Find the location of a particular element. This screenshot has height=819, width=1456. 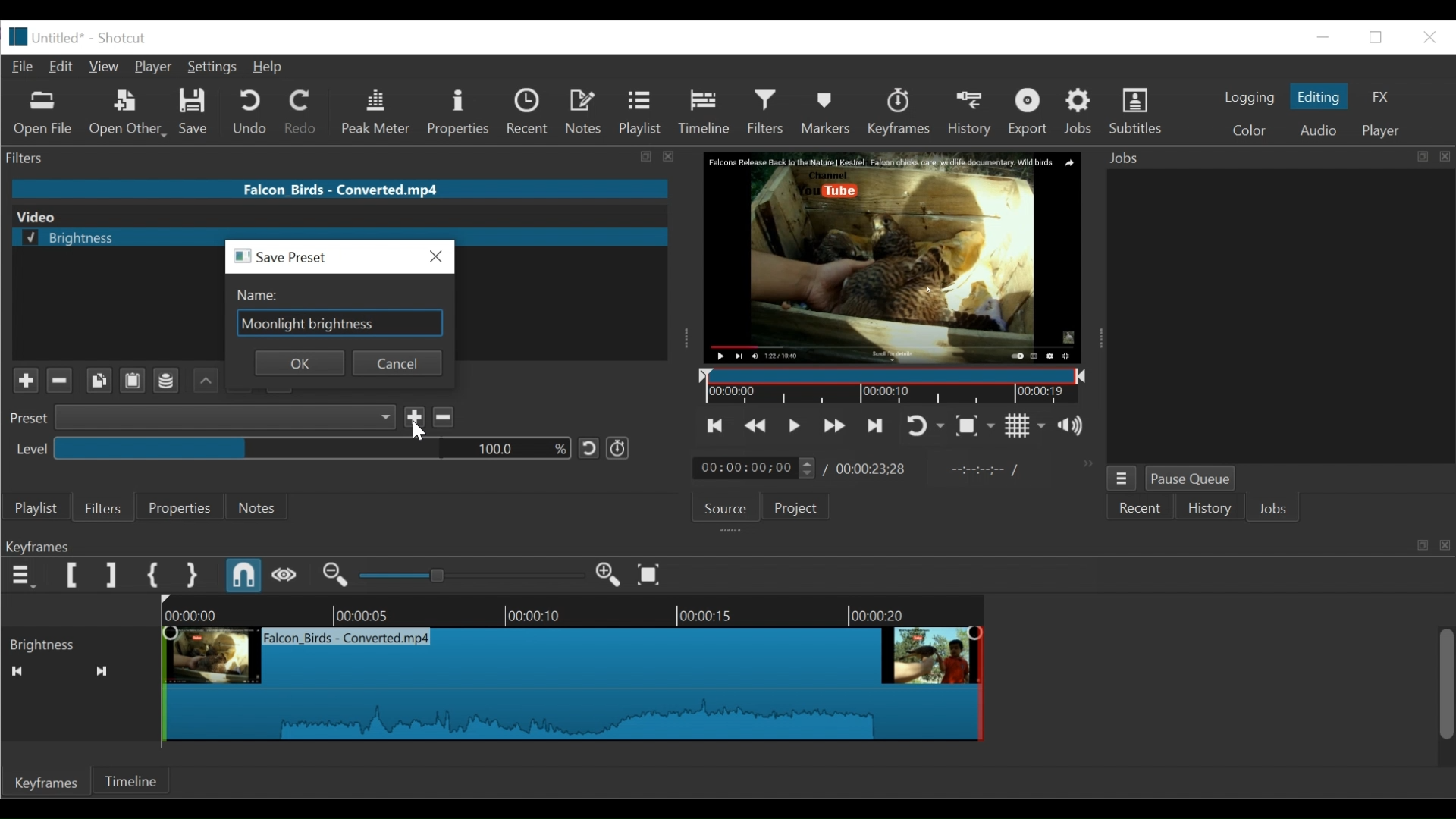

Timeline is located at coordinates (889, 384).